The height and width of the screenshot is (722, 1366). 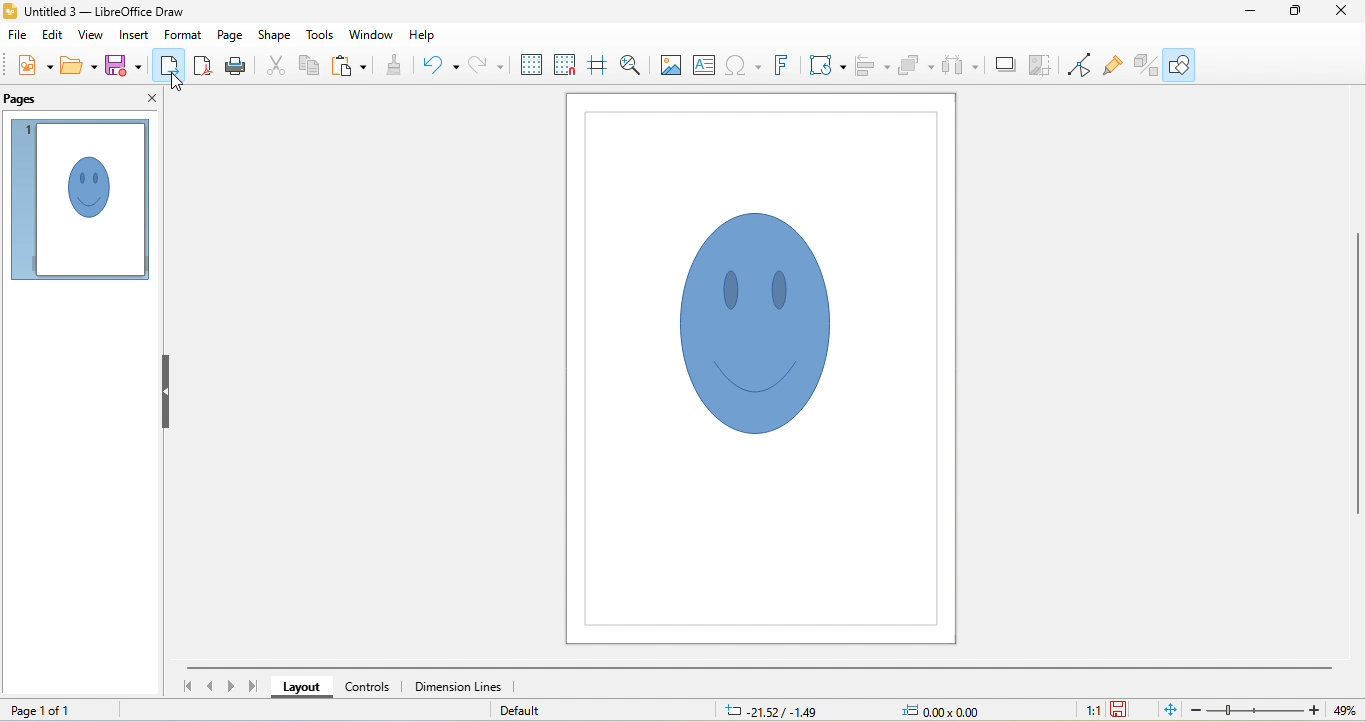 What do you see at coordinates (1169, 711) in the screenshot?
I see `fit to current window` at bounding box center [1169, 711].